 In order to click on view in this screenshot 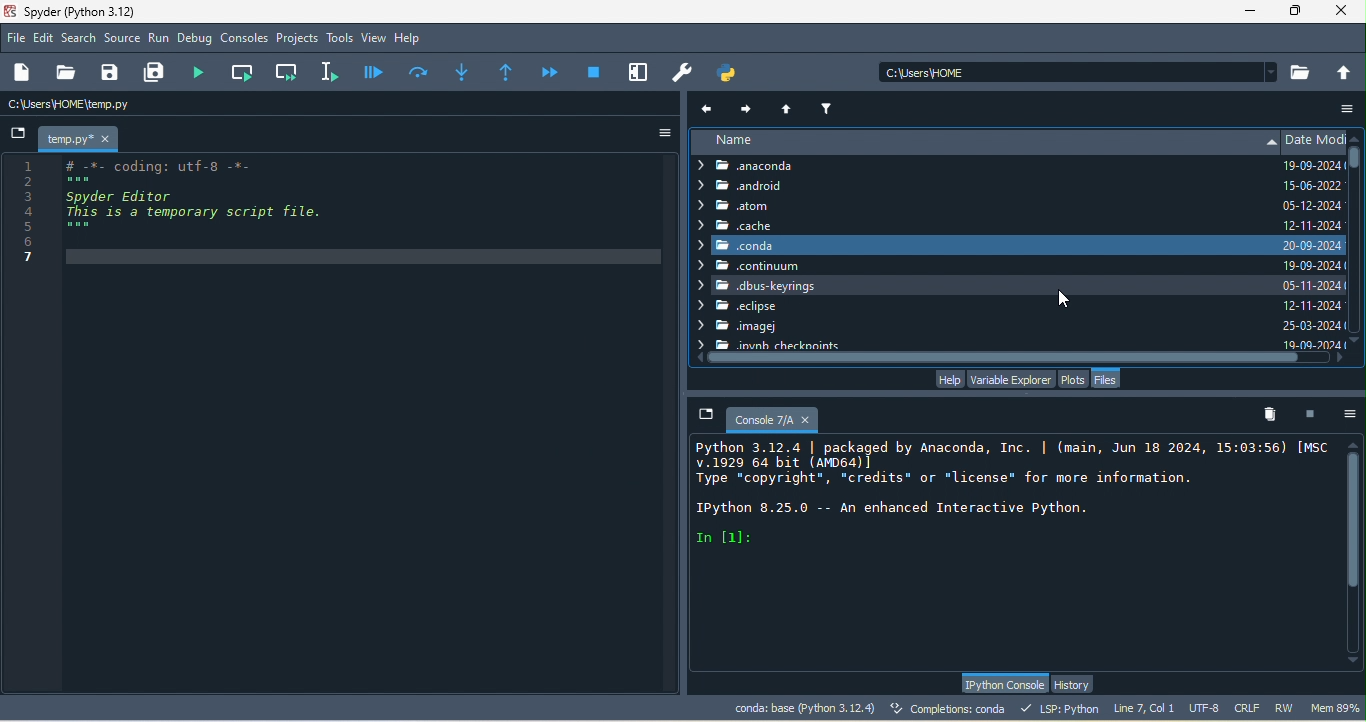, I will do `click(374, 38)`.